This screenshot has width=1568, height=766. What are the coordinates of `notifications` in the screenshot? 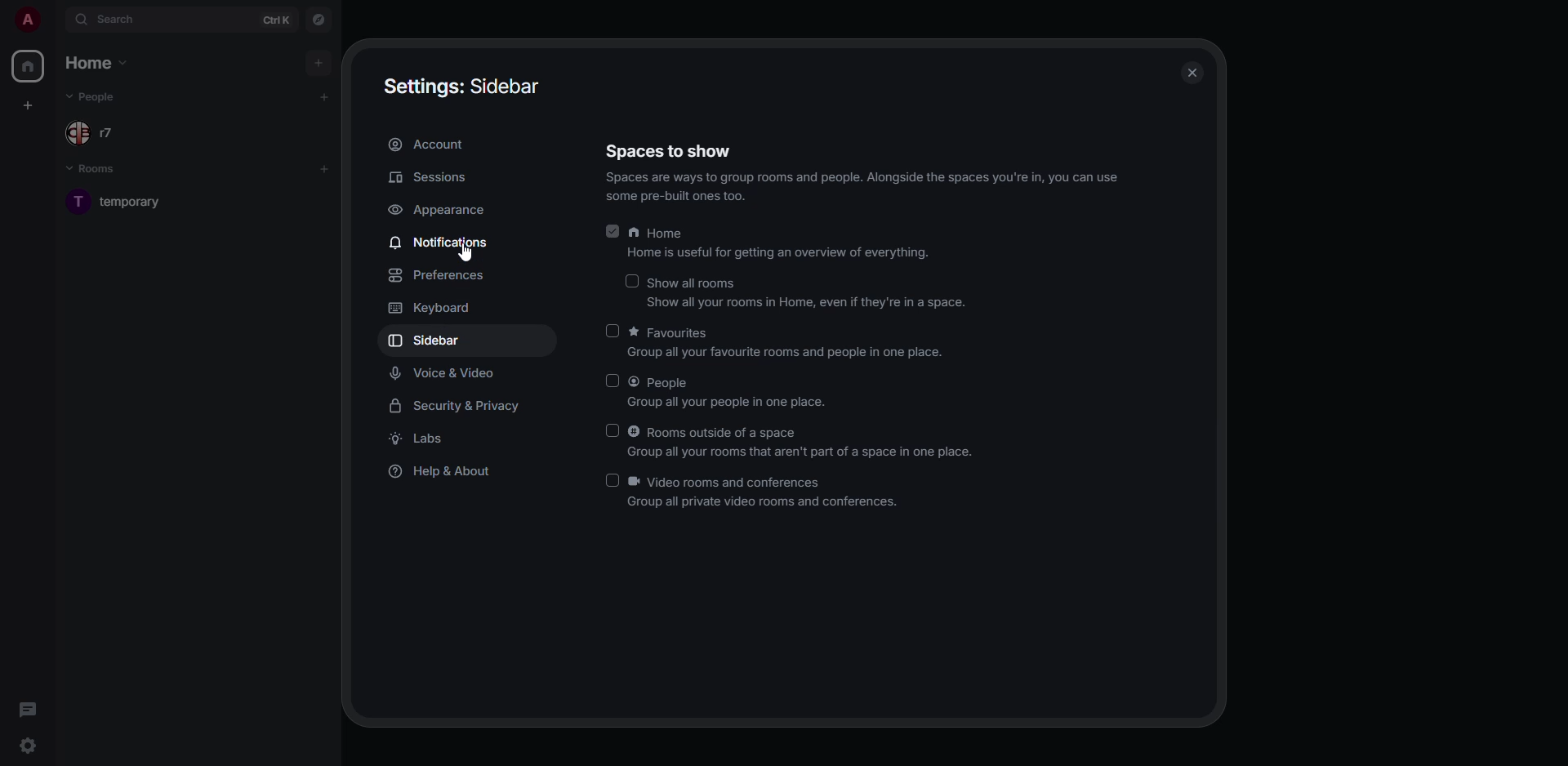 It's located at (442, 241).